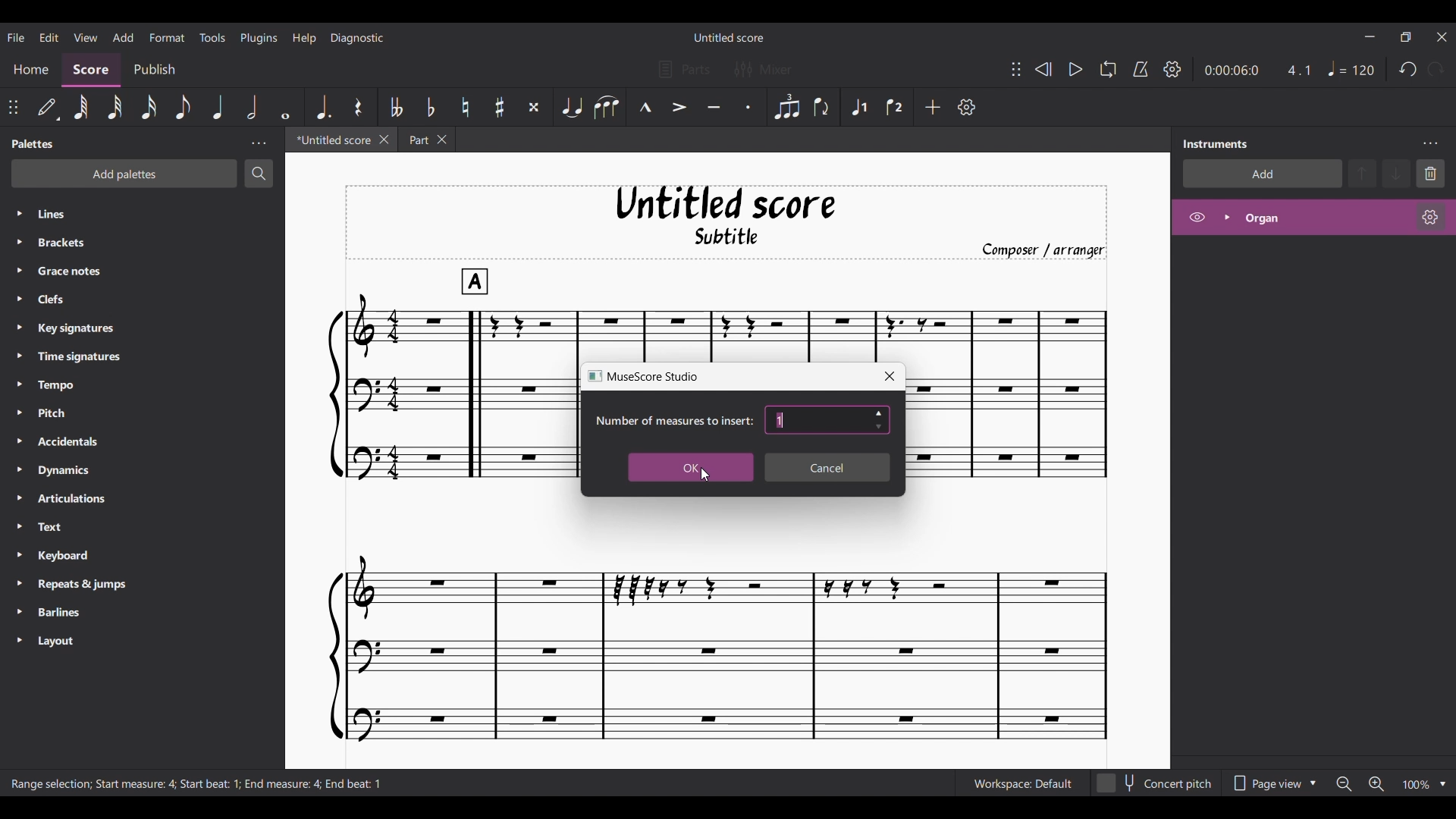 This screenshot has height=819, width=1456. What do you see at coordinates (1430, 143) in the screenshot?
I see `Instruments setting` at bounding box center [1430, 143].